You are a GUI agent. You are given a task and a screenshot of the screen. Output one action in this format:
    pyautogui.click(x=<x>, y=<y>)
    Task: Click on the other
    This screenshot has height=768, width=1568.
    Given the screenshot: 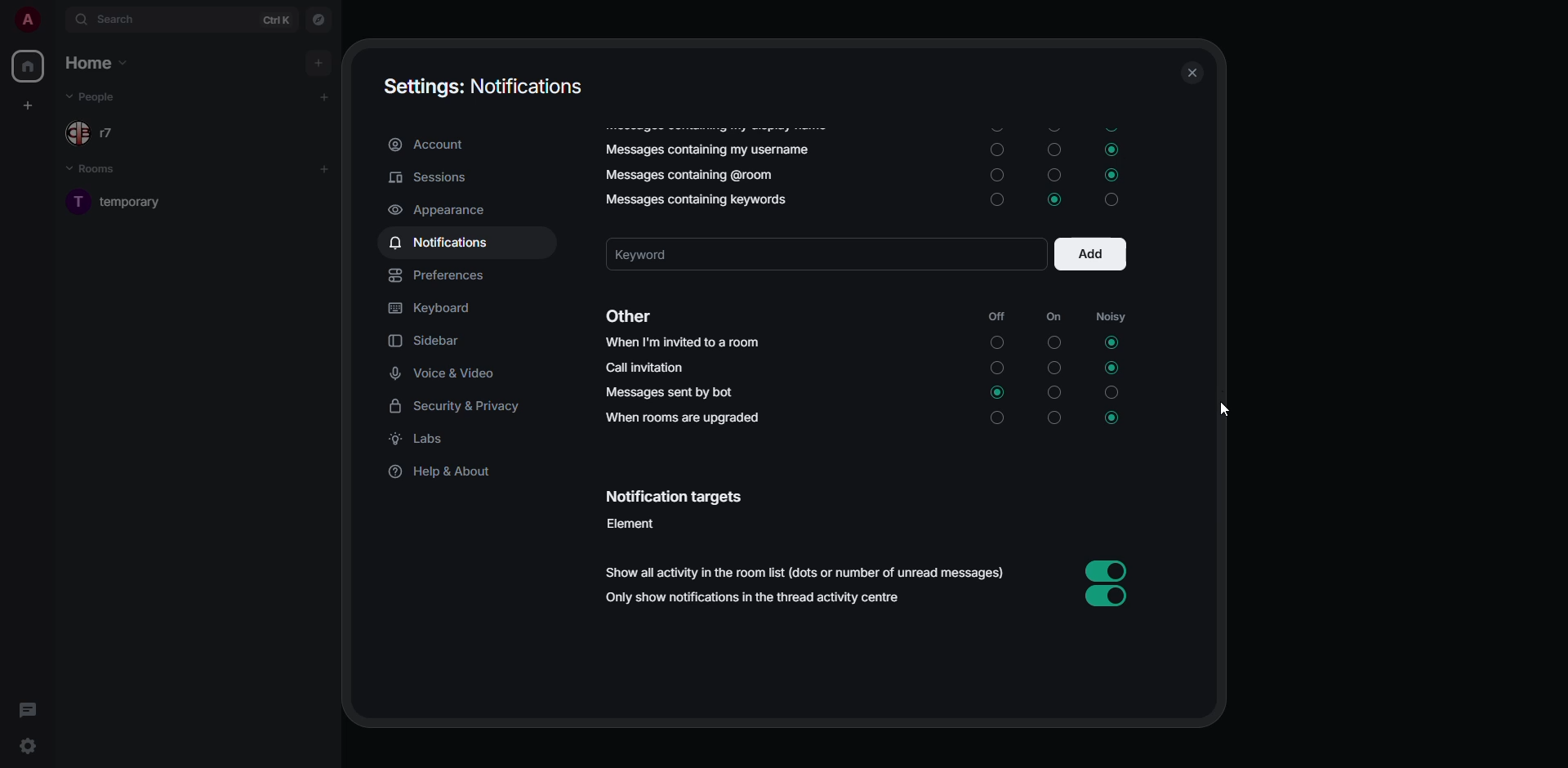 What is the action you would take?
    pyautogui.click(x=626, y=318)
    